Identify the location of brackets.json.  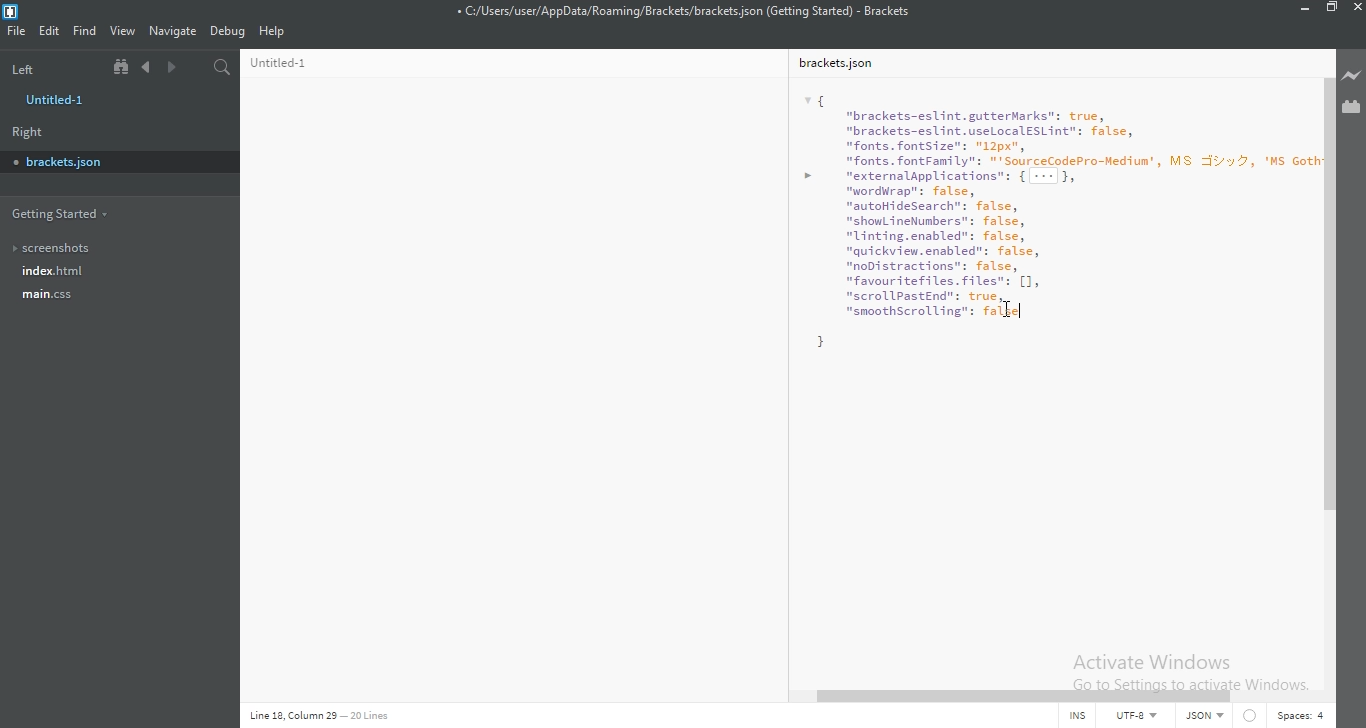
(102, 162).